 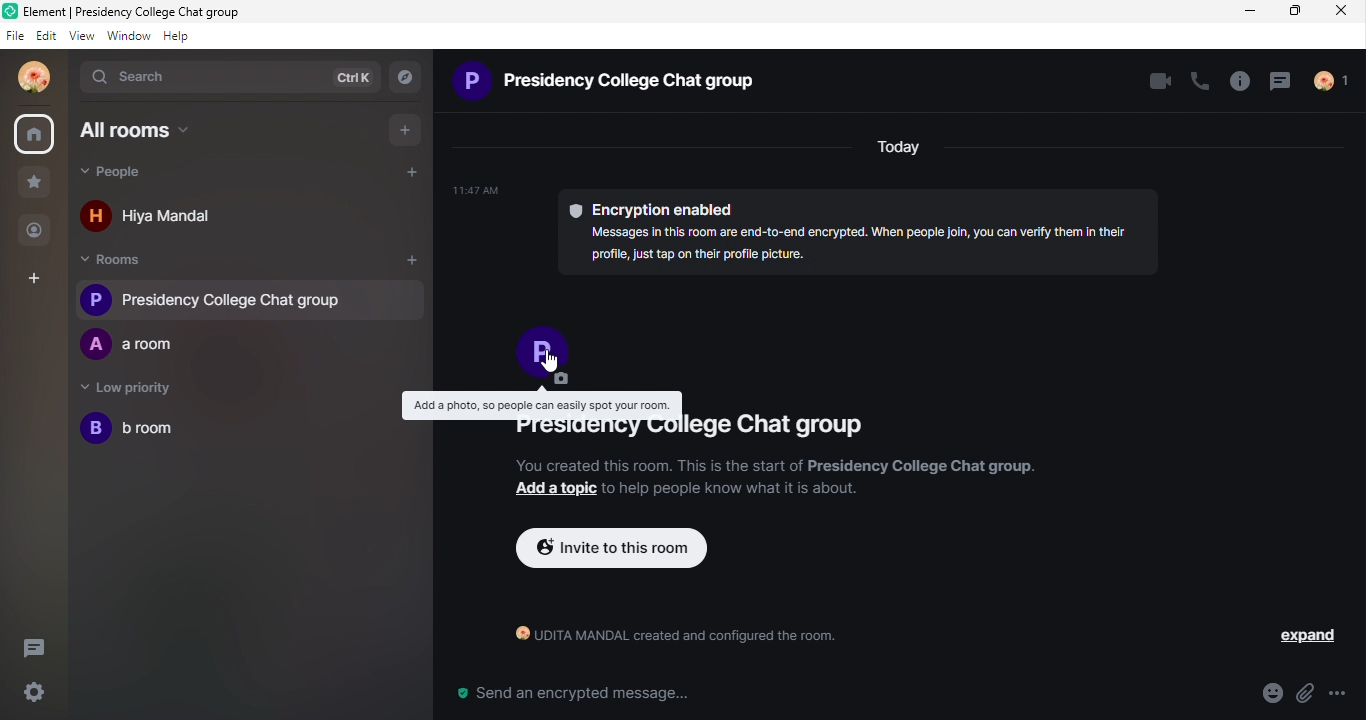 I want to click on udita mandal created and configured the room, so click(x=666, y=639).